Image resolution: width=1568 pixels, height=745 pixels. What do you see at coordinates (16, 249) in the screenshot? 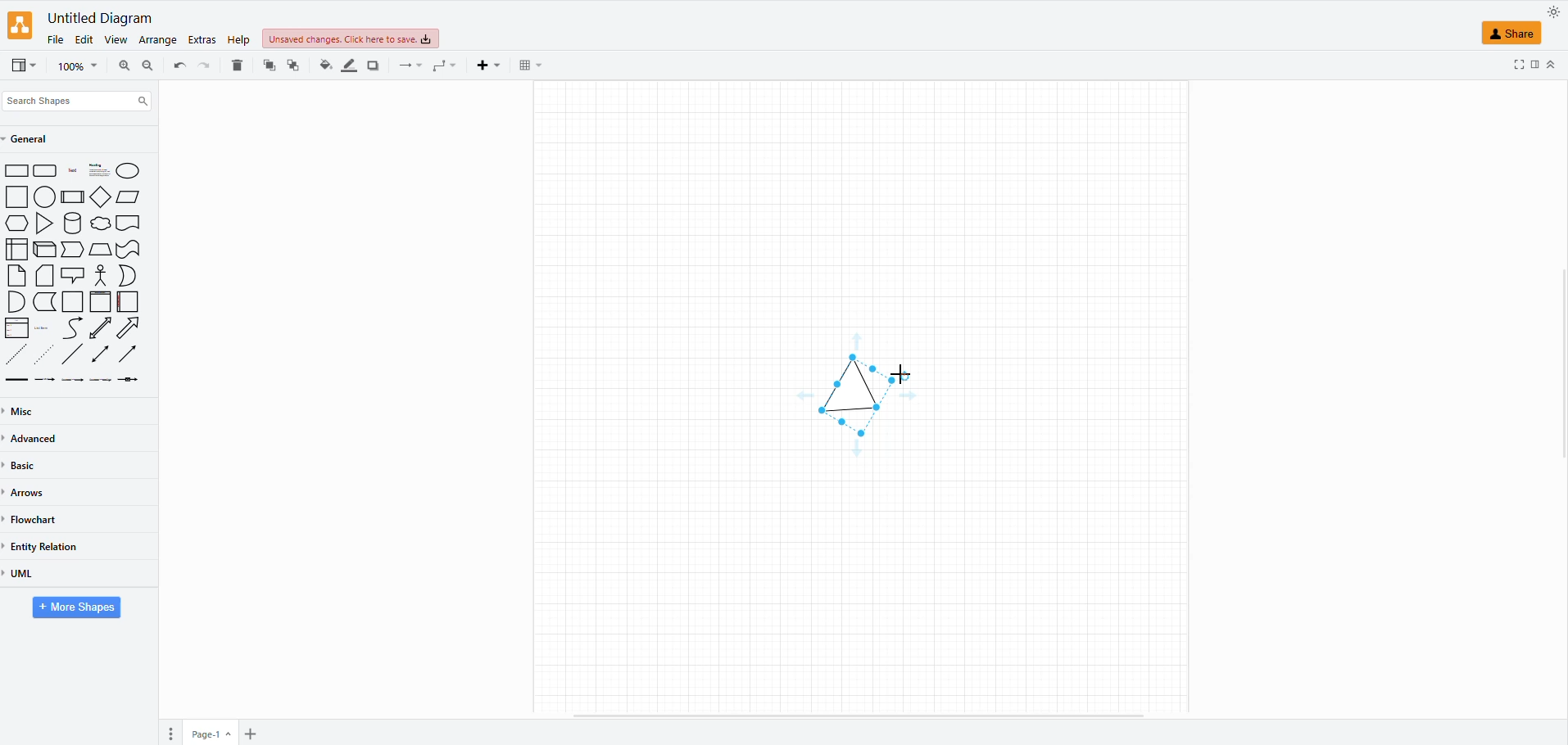
I see `Table` at bounding box center [16, 249].